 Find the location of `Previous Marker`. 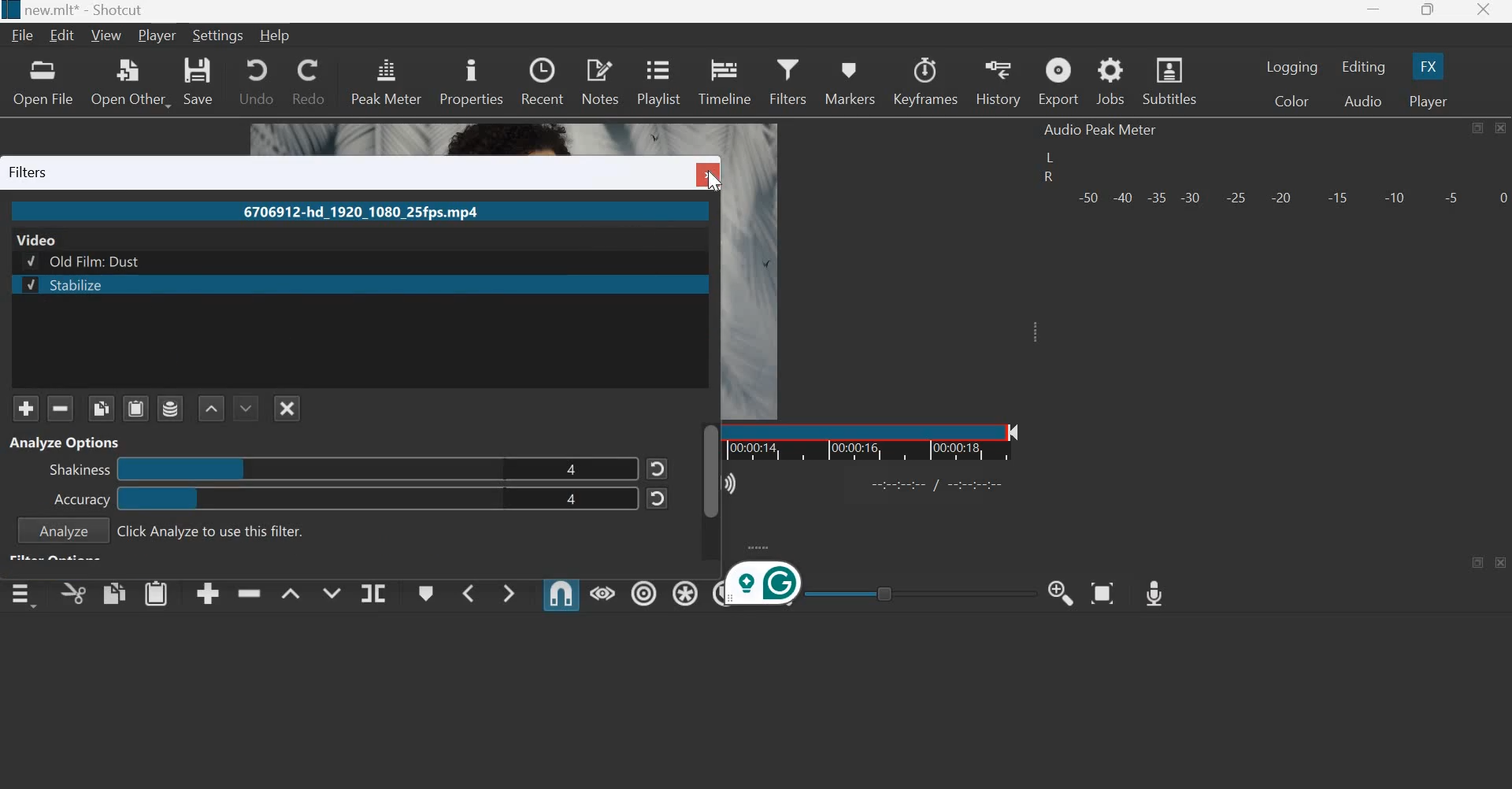

Previous Marker is located at coordinates (465, 592).